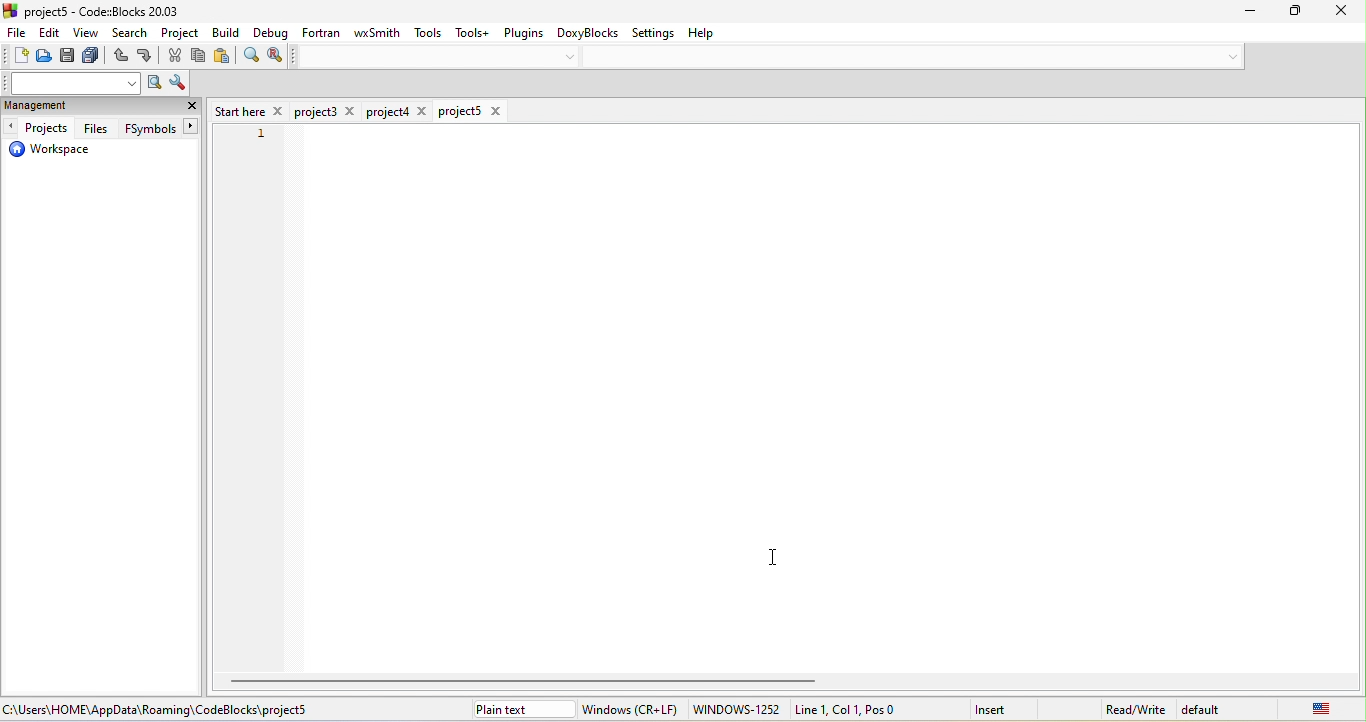 The height and width of the screenshot is (722, 1366). I want to click on find, so click(250, 58).